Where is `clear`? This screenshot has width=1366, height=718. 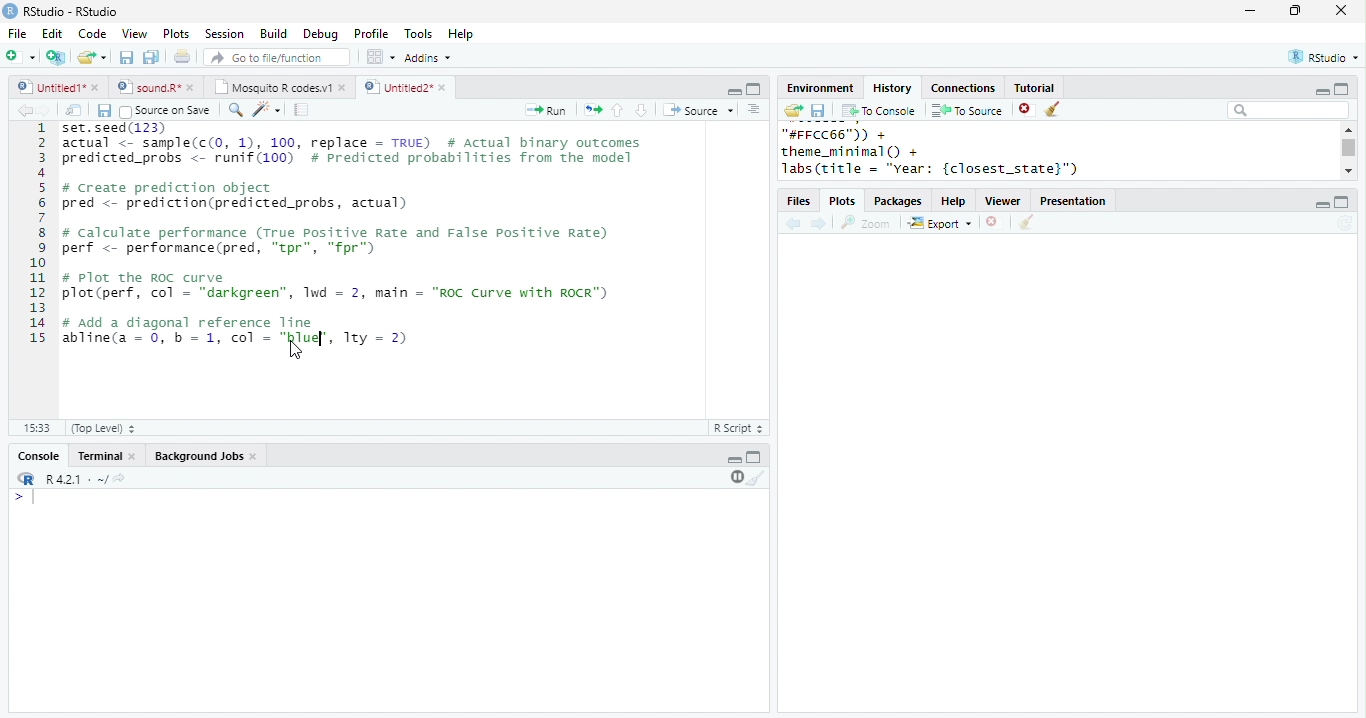
clear is located at coordinates (1026, 223).